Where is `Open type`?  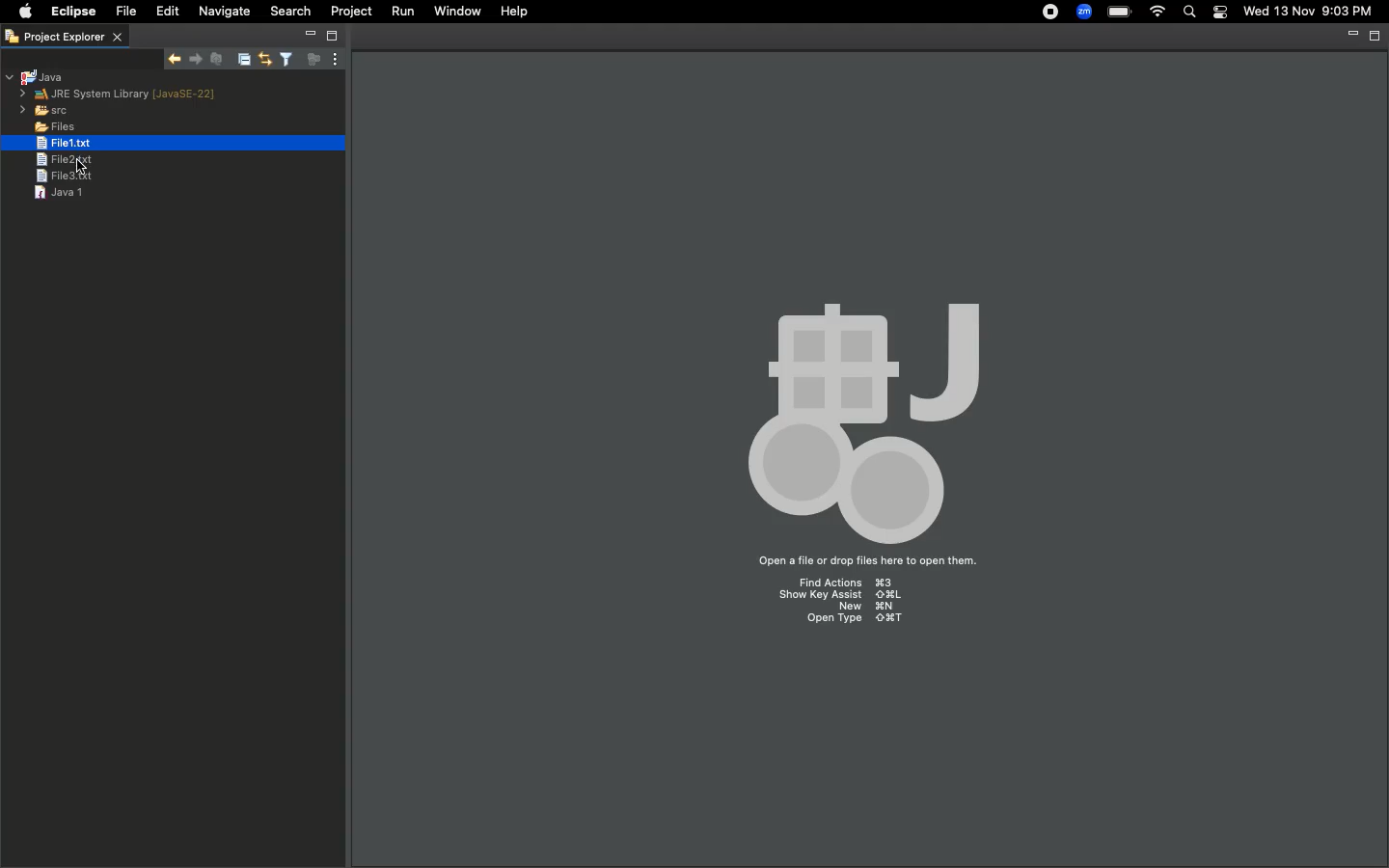 Open type is located at coordinates (848, 622).